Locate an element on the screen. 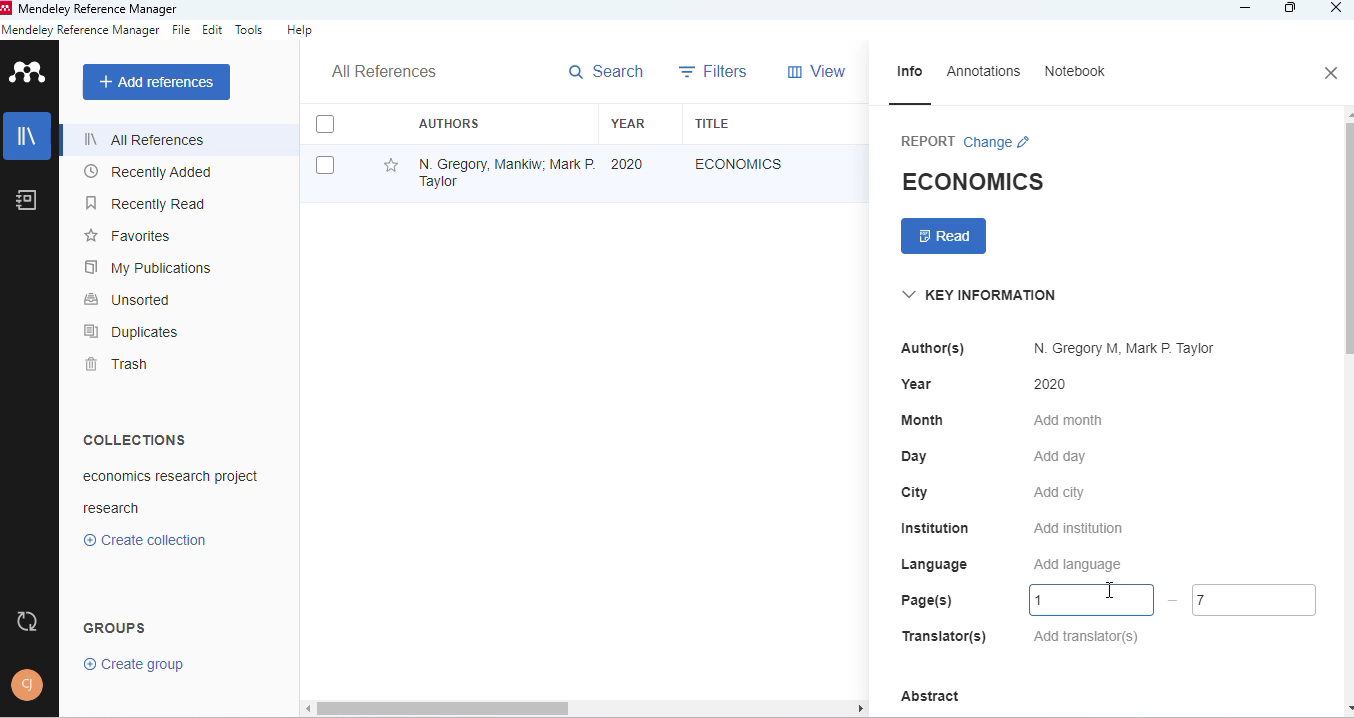 The height and width of the screenshot is (718, 1354). maximize is located at coordinates (1291, 9).